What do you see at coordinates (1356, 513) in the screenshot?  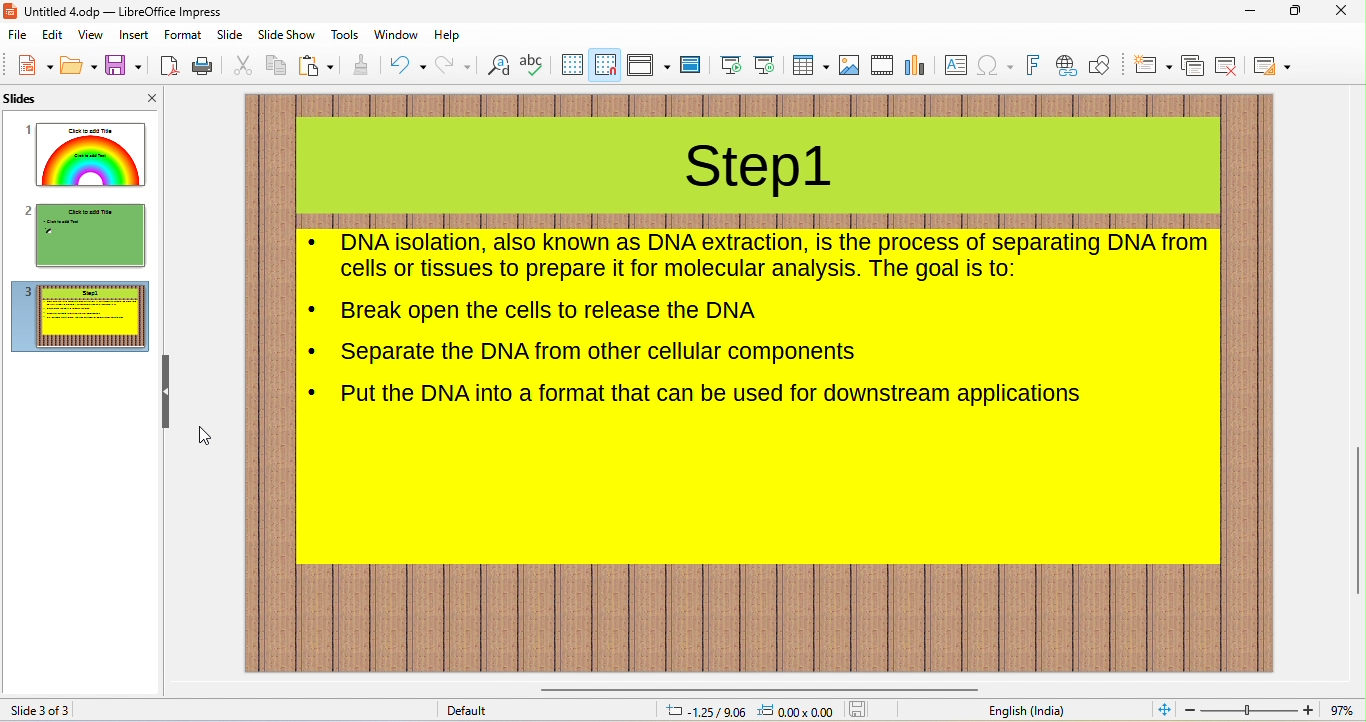 I see `vertical scroll` at bounding box center [1356, 513].